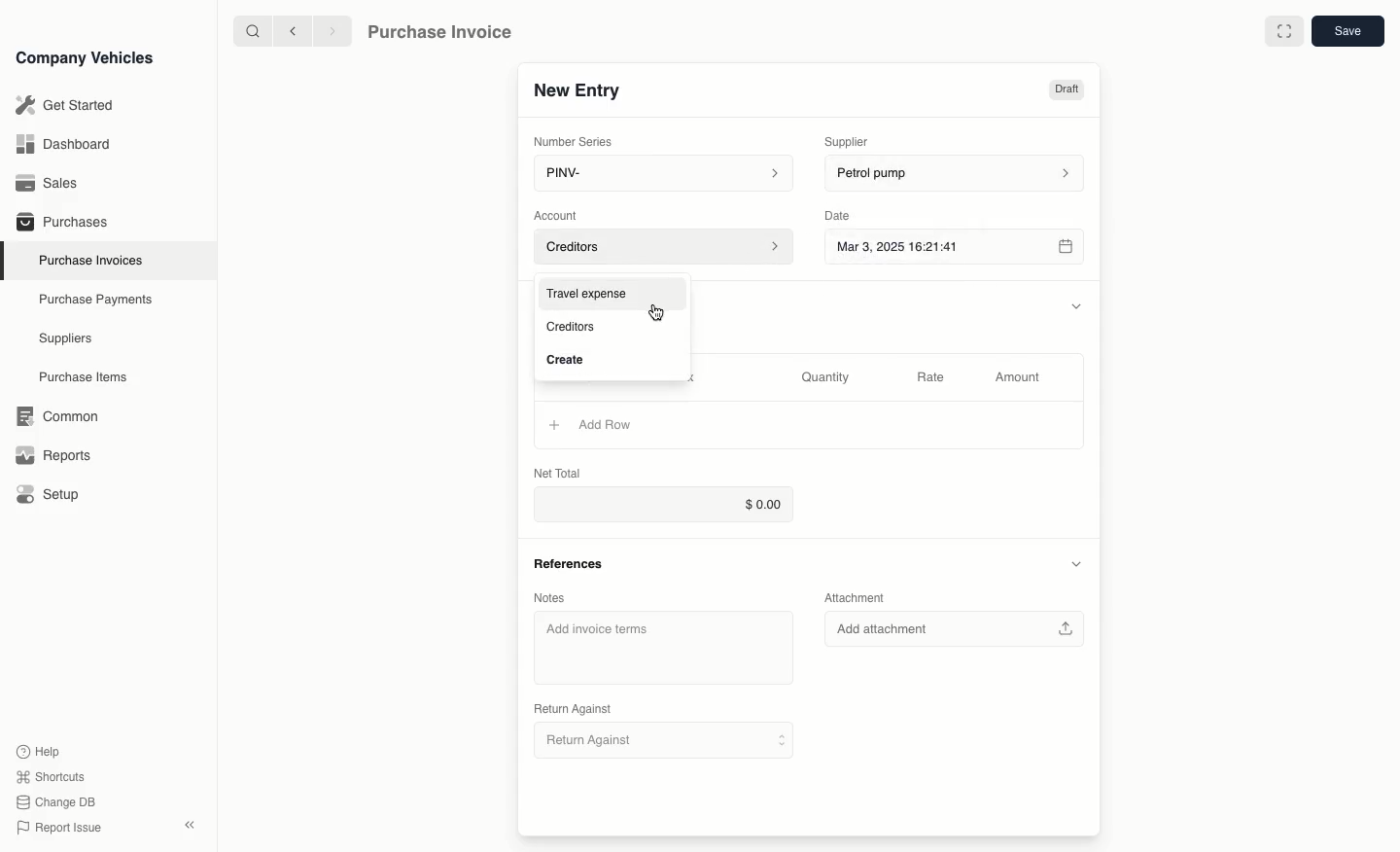  Describe the element at coordinates (58, 802) in the screenshot. I see `change DB` at that location.